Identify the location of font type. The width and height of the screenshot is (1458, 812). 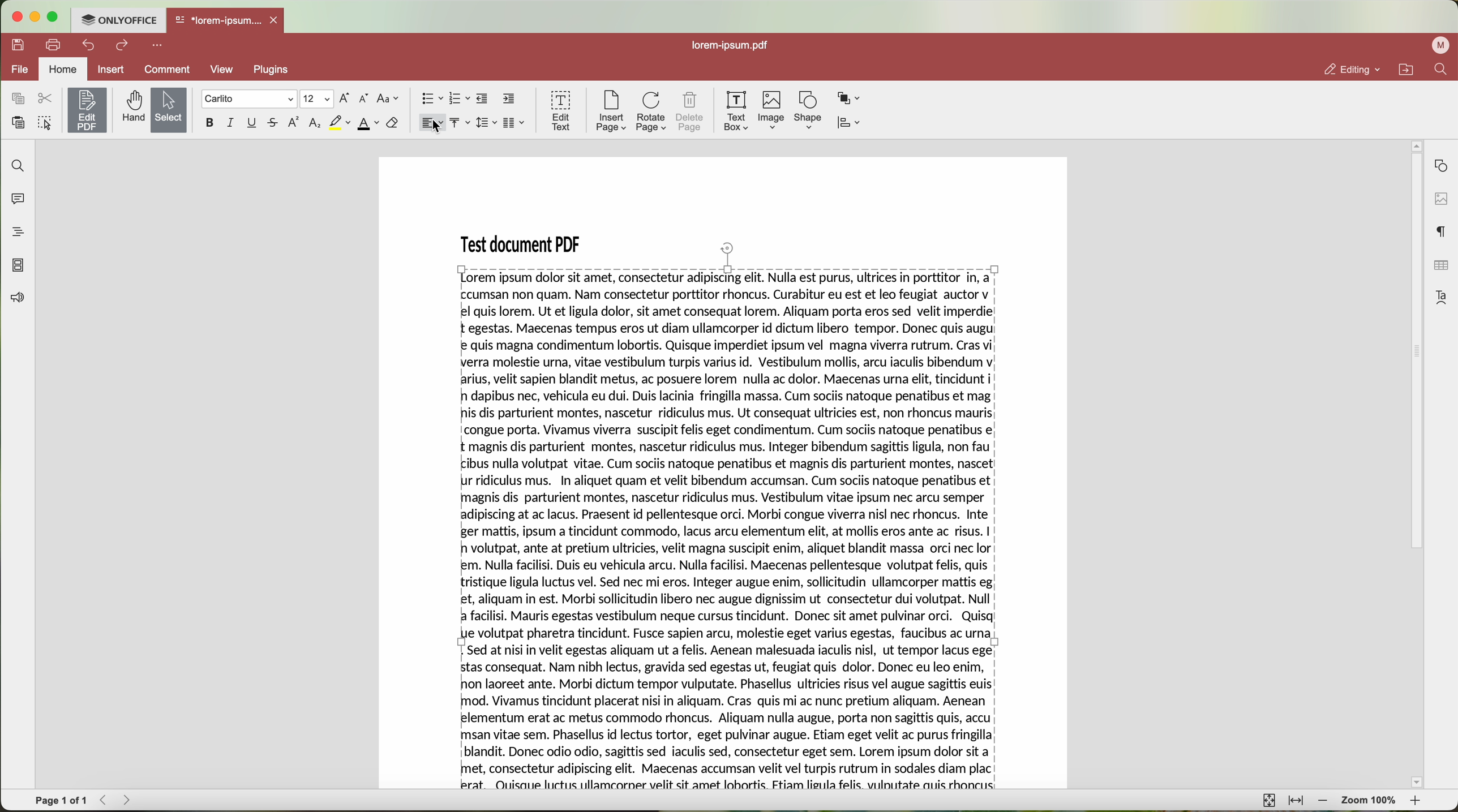
(248, 99).